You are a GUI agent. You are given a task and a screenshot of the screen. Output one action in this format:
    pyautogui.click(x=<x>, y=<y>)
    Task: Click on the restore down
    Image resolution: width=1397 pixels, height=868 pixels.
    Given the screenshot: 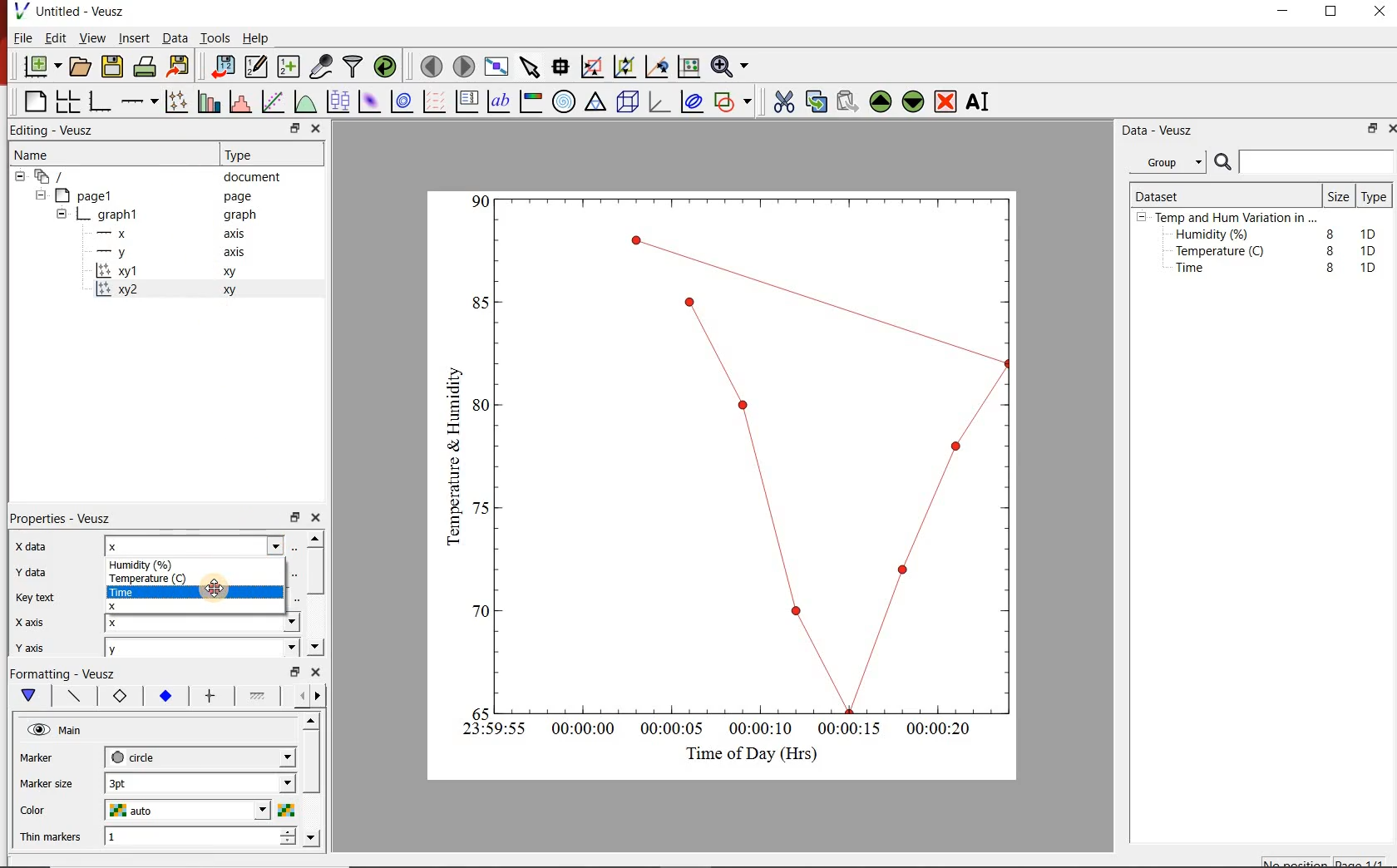 What is the action you would take?
    pyautogui.click(x=284, y=128)
    